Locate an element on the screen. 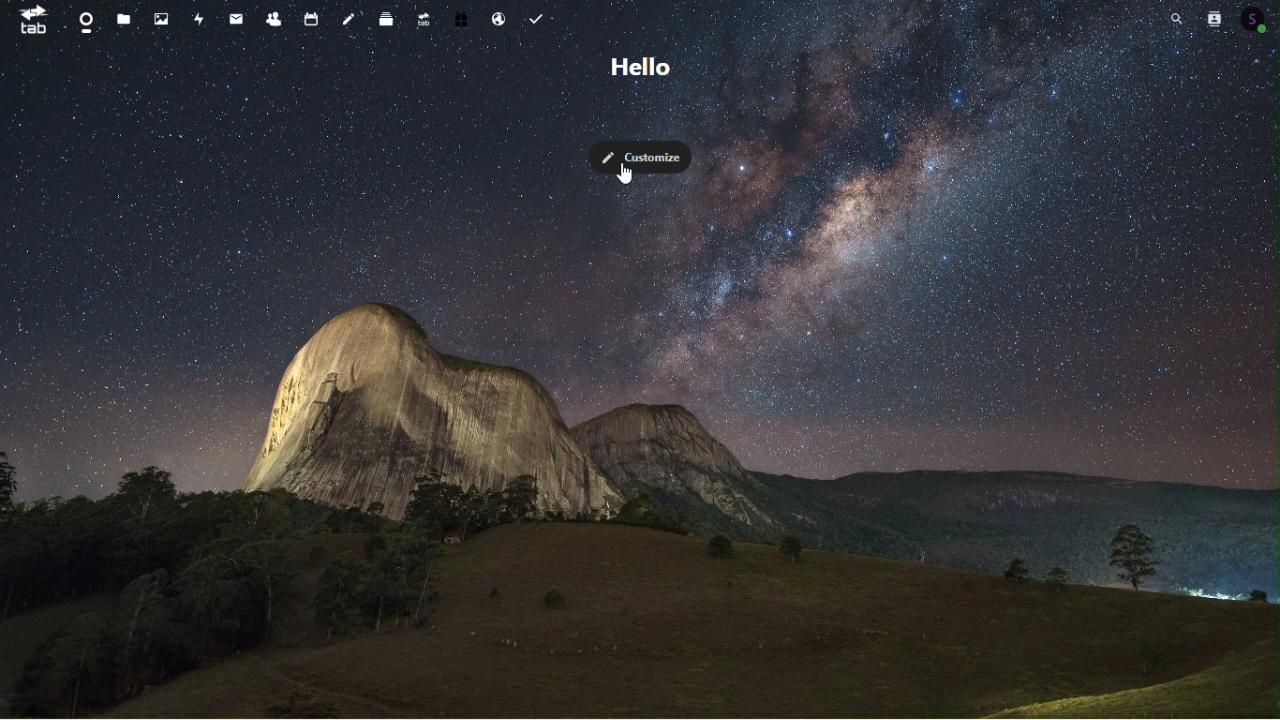 This screenshot has height=720, width=1280. Photos is located at coordinates (160, 19).